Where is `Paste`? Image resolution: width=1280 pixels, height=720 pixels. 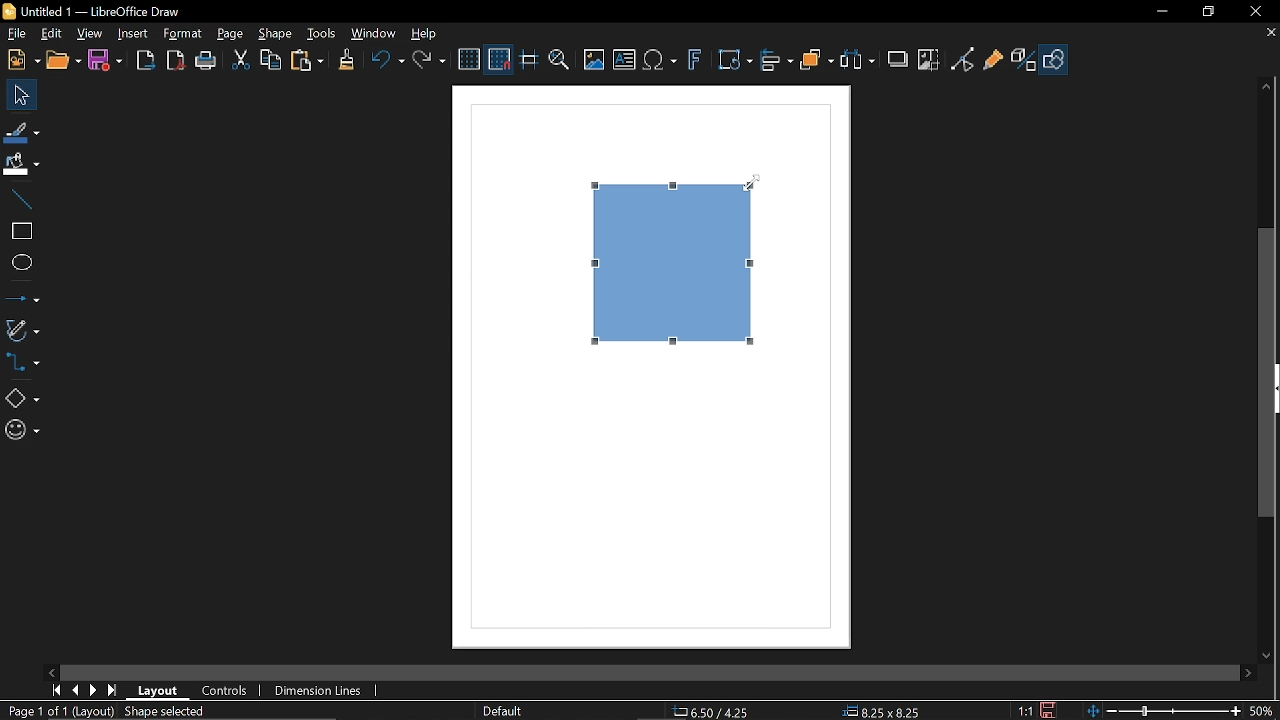
Paste is located at coordinates (307, 62).